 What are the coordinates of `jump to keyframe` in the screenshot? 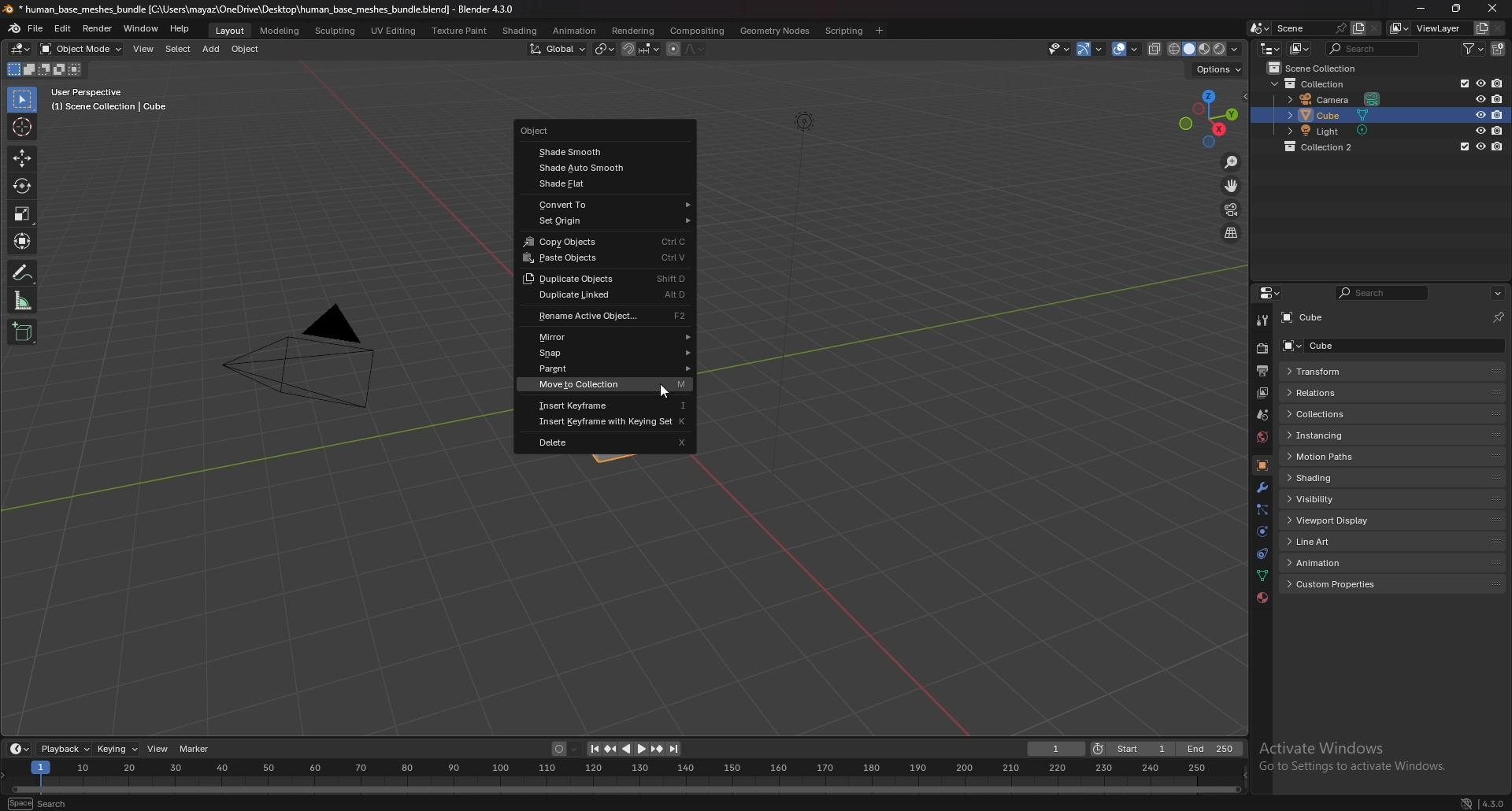 It's located at (658, 749).